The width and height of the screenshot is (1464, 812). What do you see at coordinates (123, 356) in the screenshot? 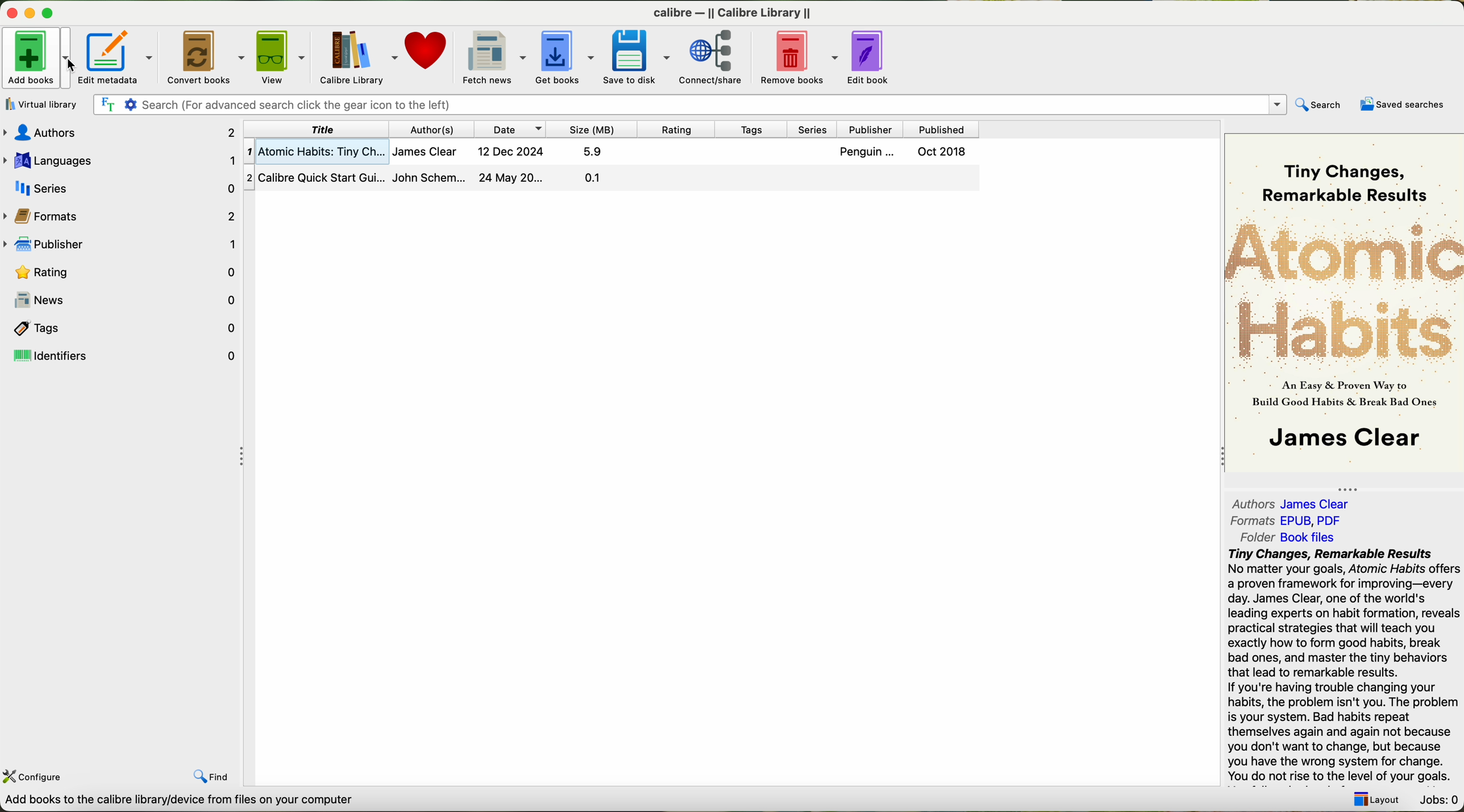
I see `identifiers` at bounding box center [123, 356].